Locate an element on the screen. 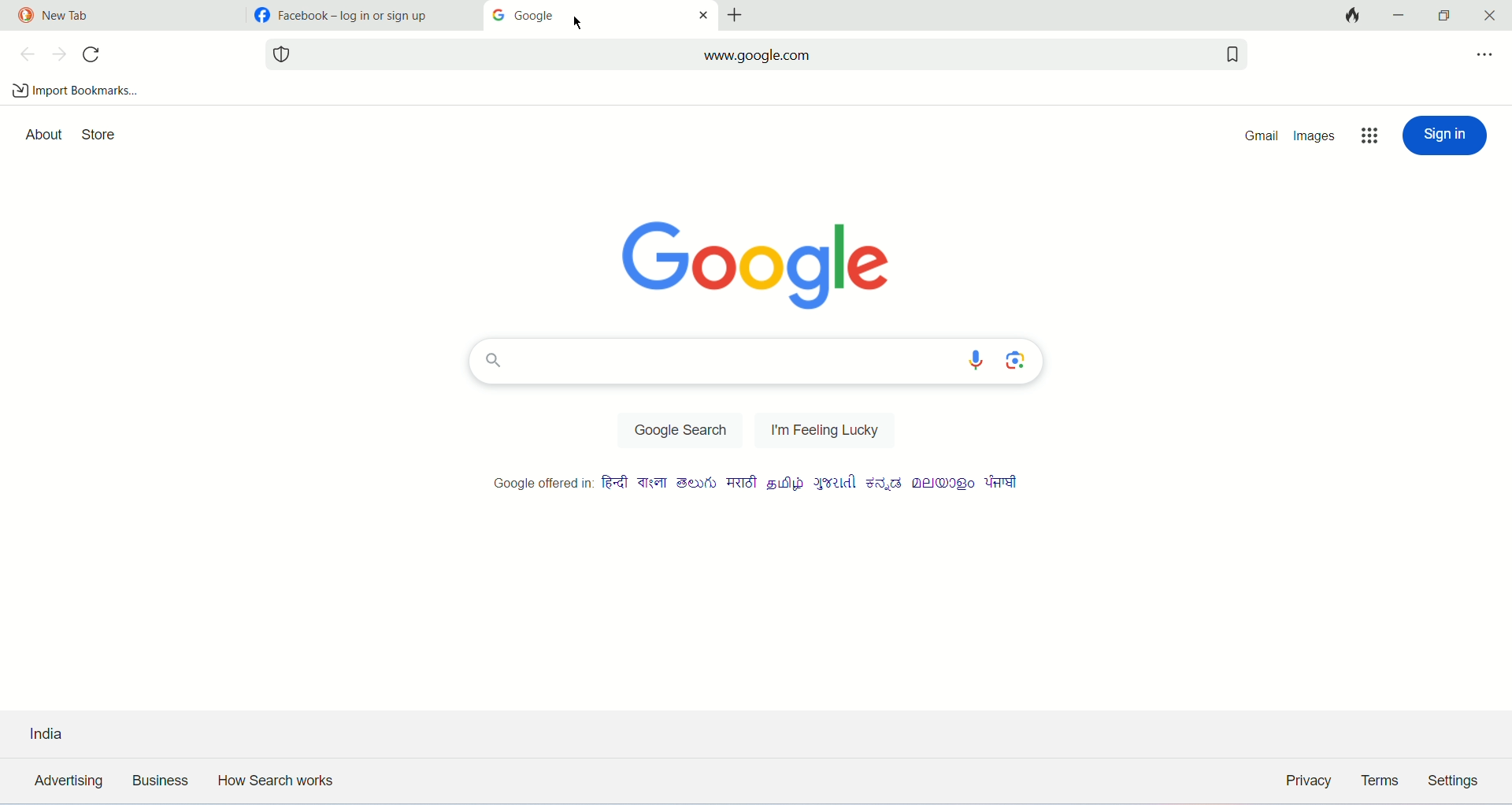 This screenshot has width=1512, height=805. refresh is located at coordinates (92, 54).